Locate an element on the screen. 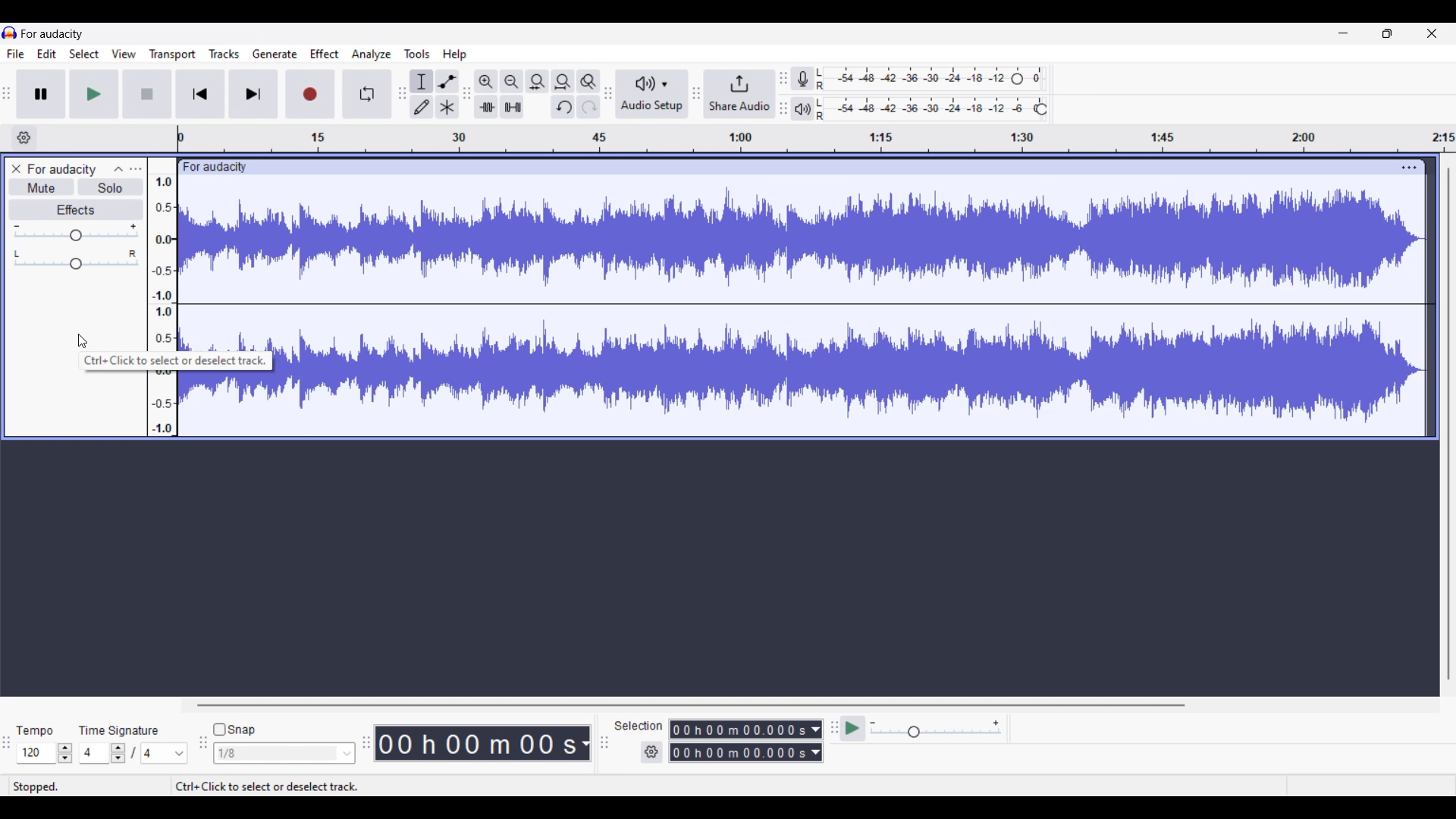 This screenshot has height=819, width=1456. Trim audio outside selection is located at coordinates (486, 107).